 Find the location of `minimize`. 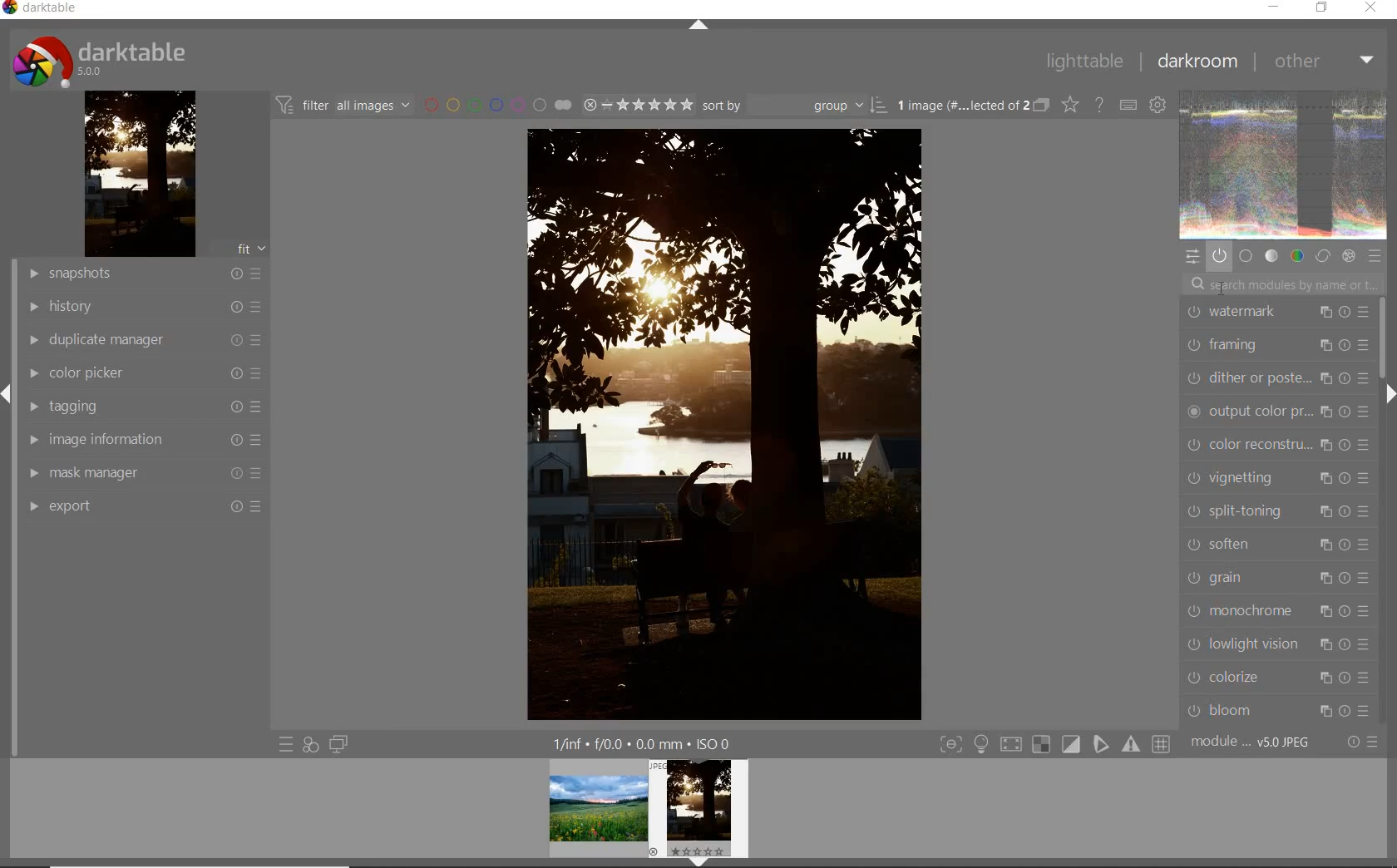

minimize is located at coordinates (1271, 7).